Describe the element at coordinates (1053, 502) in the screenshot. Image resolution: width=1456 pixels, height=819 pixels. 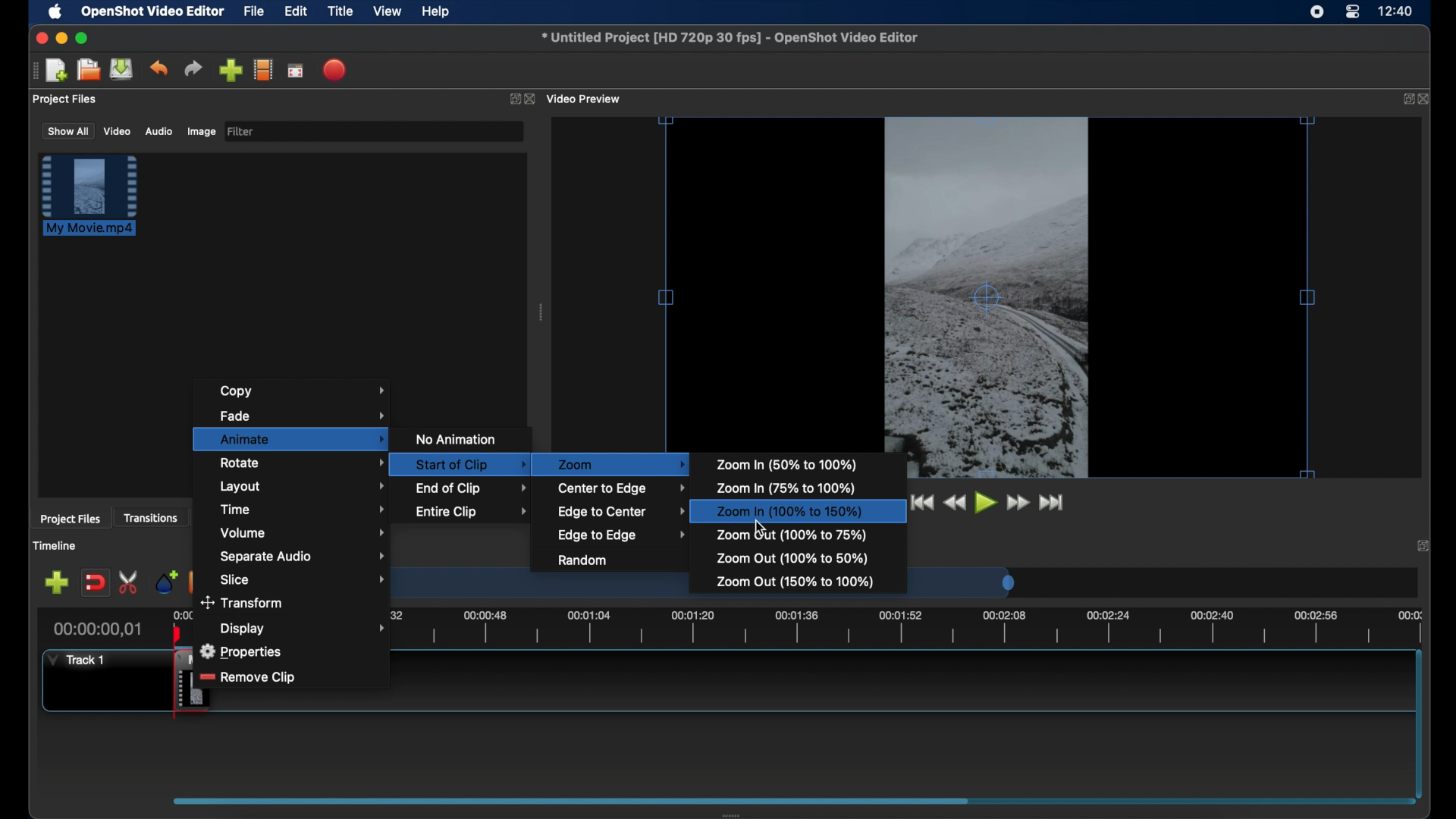
I see `jump to start` at that location.